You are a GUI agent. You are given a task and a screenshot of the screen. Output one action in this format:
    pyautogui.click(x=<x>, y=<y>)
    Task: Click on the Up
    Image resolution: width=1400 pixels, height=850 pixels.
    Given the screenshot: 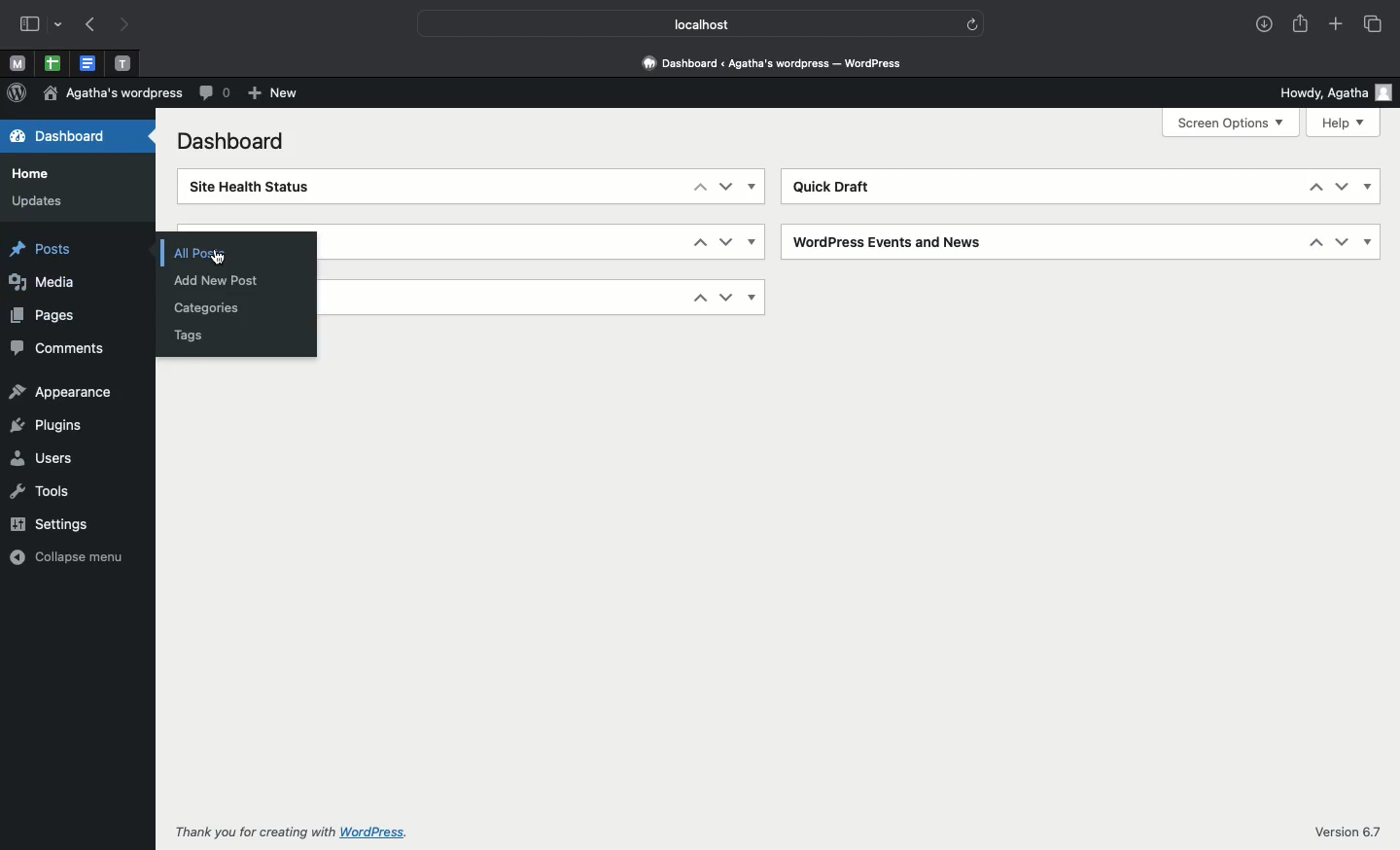 What is the action you would take?
    pyautogui.click(x=700, y=298)
    